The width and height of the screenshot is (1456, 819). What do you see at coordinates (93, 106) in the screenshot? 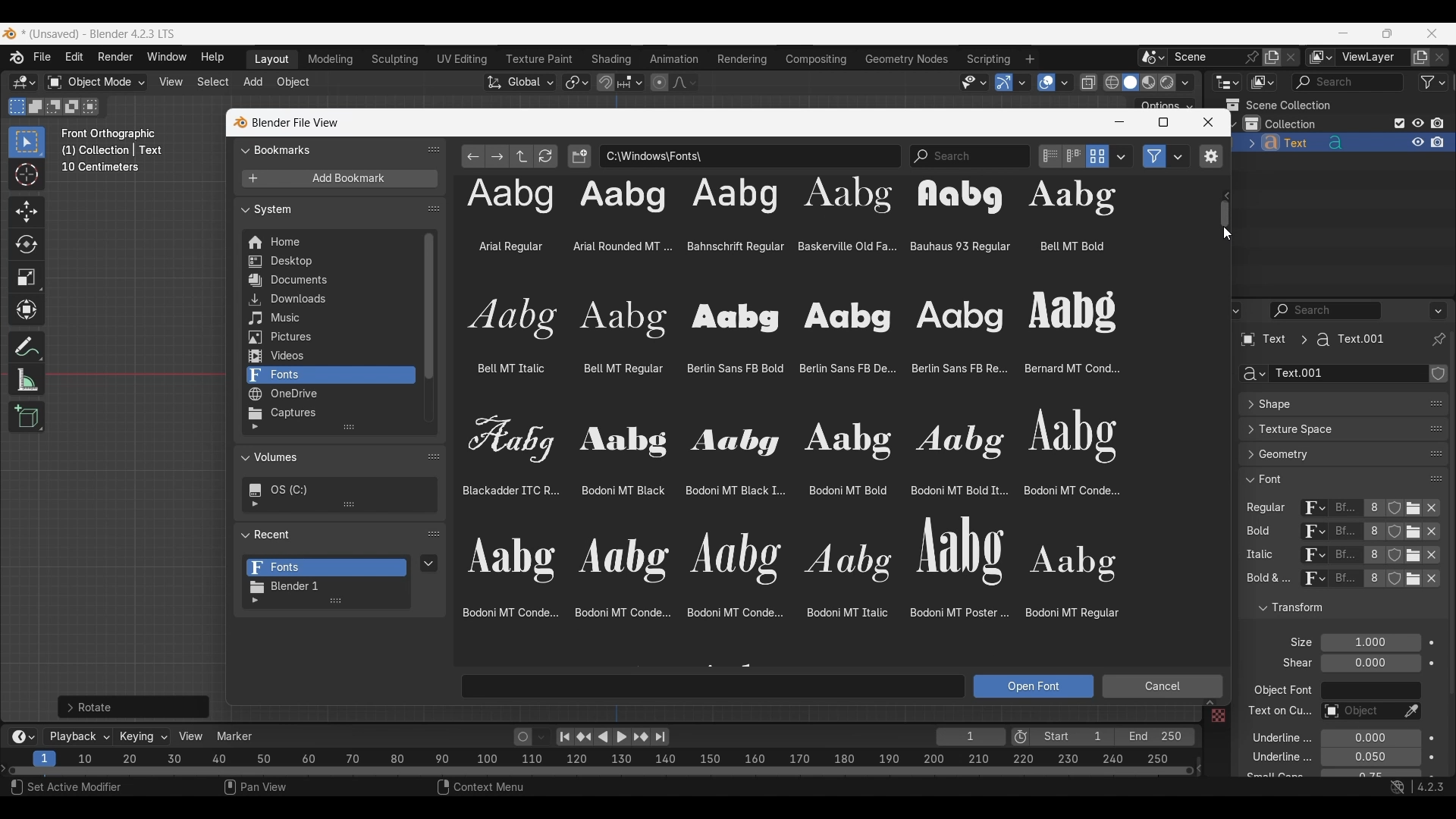
I see `select` at bounding box center [93, 106].